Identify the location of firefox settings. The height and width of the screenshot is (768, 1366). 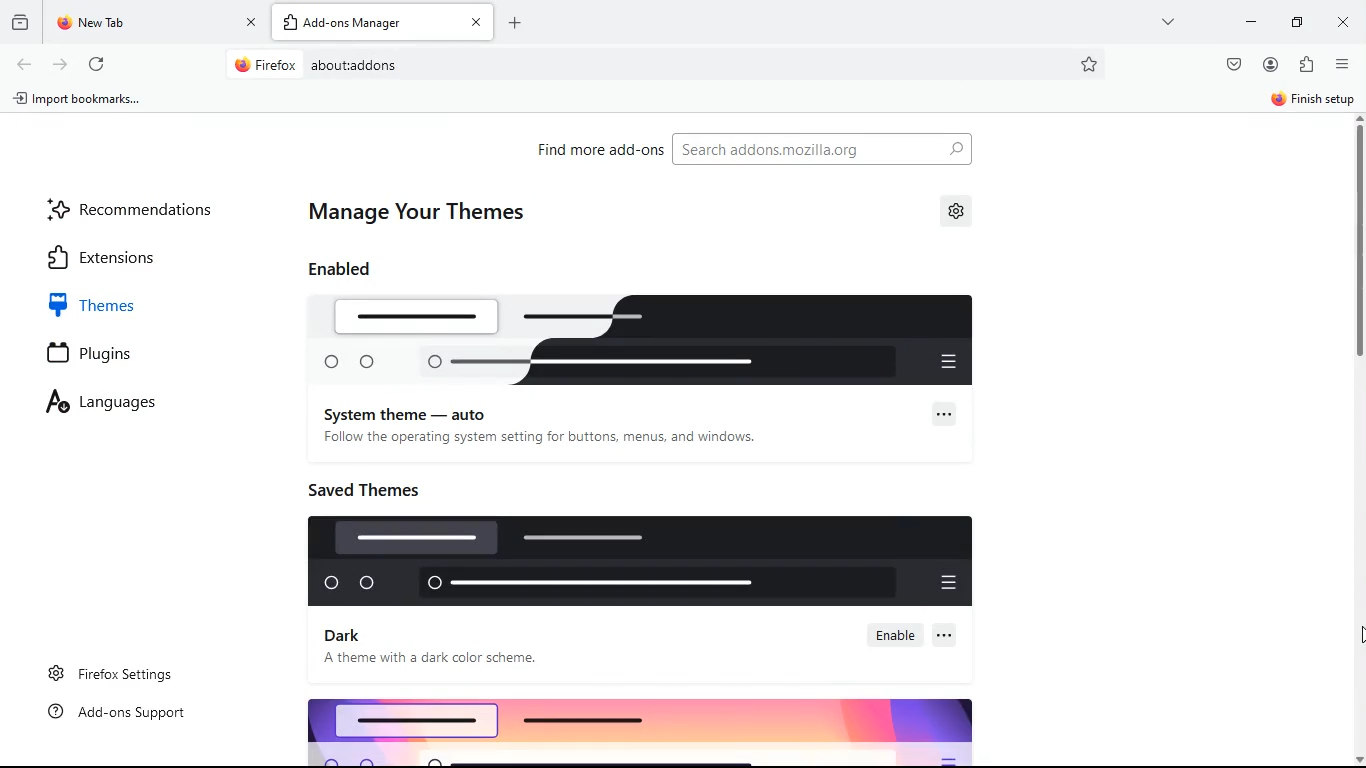
(114, 673).